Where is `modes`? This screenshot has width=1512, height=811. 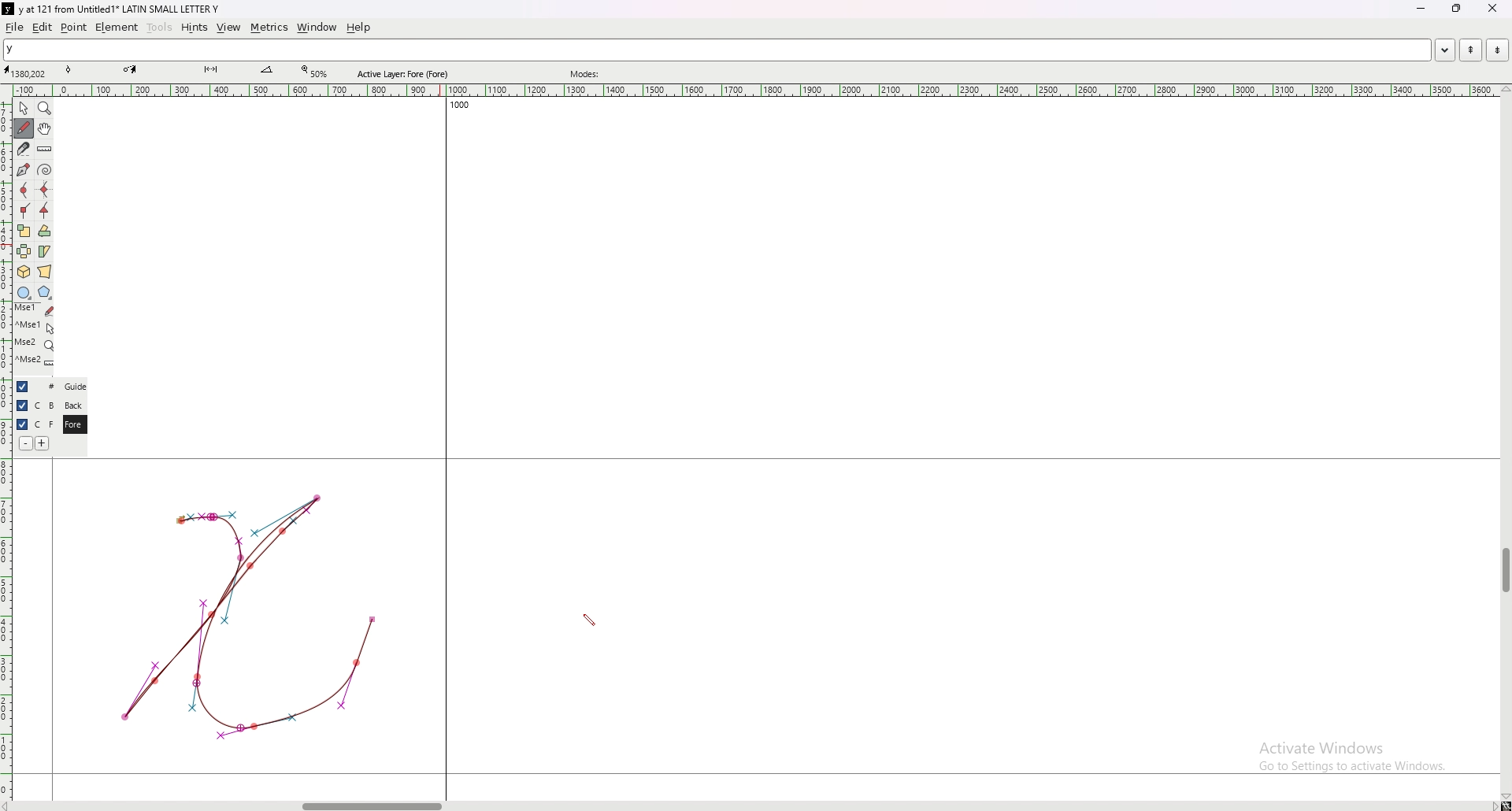
modes is located at coordinates (587, 74).